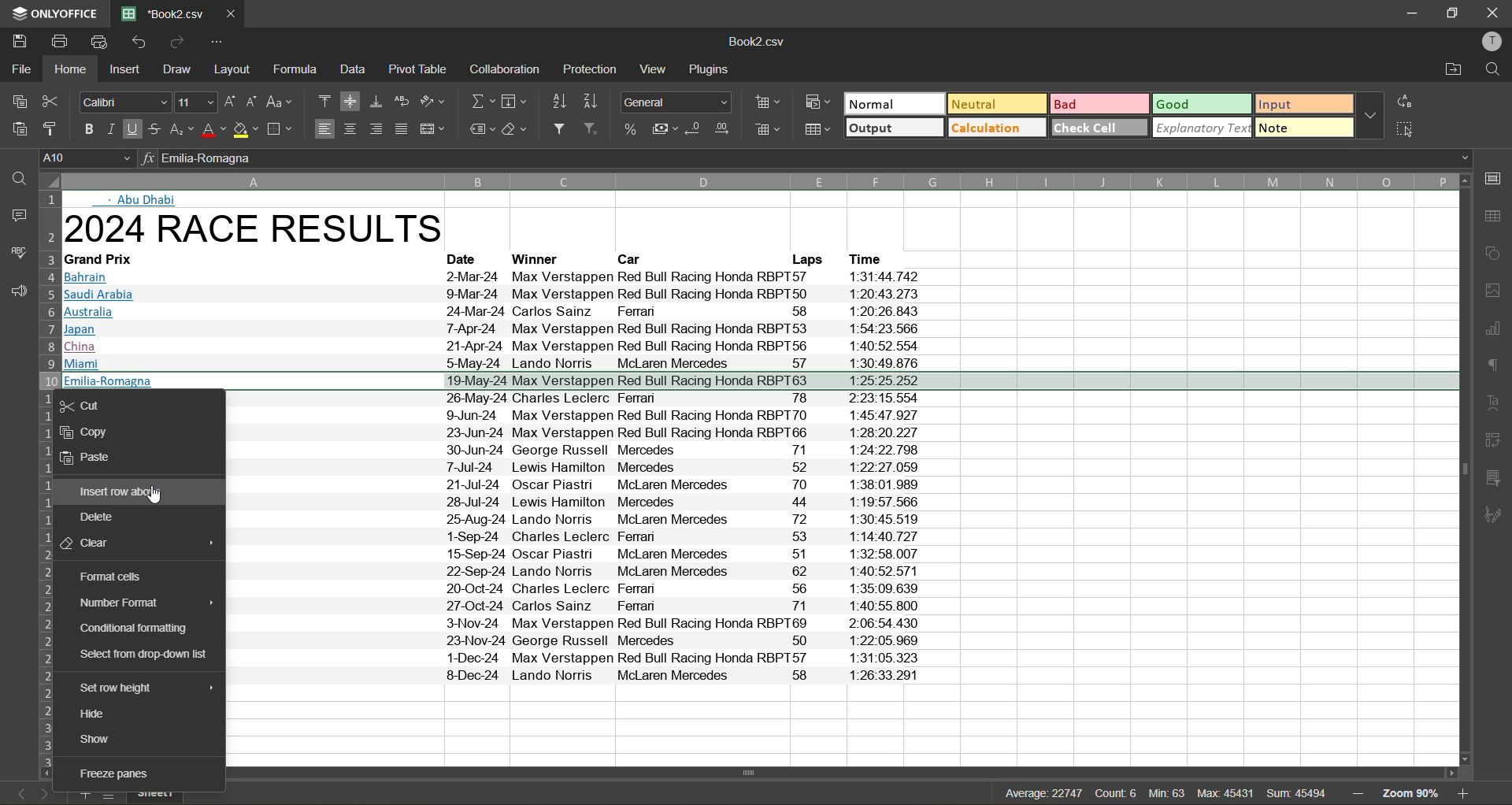  Describe the element at coordinates (558, 130) in the screenshot. I see `filter` at that location.